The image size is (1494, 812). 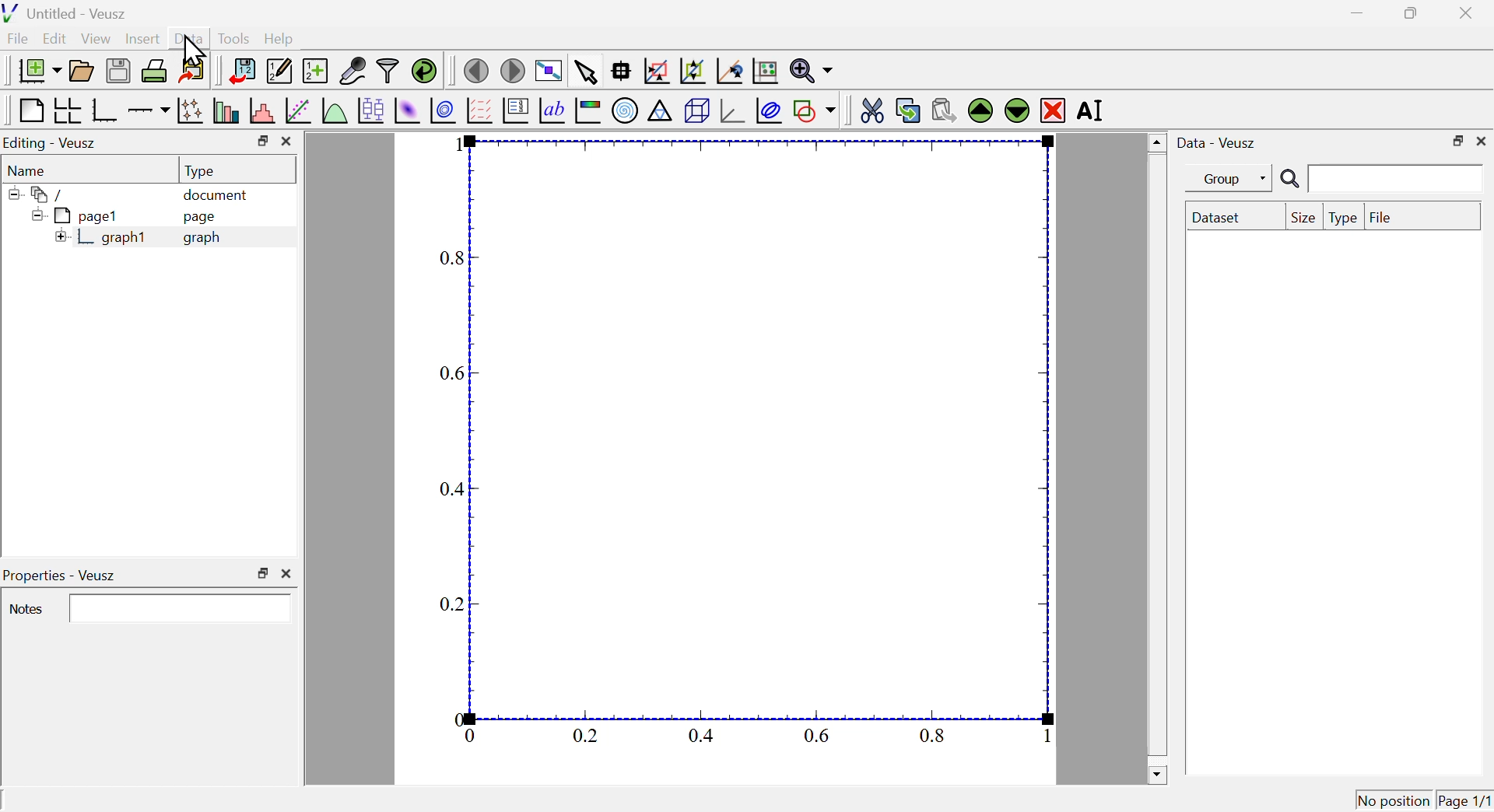 I want to click on close, so click(x=1482, y=141).